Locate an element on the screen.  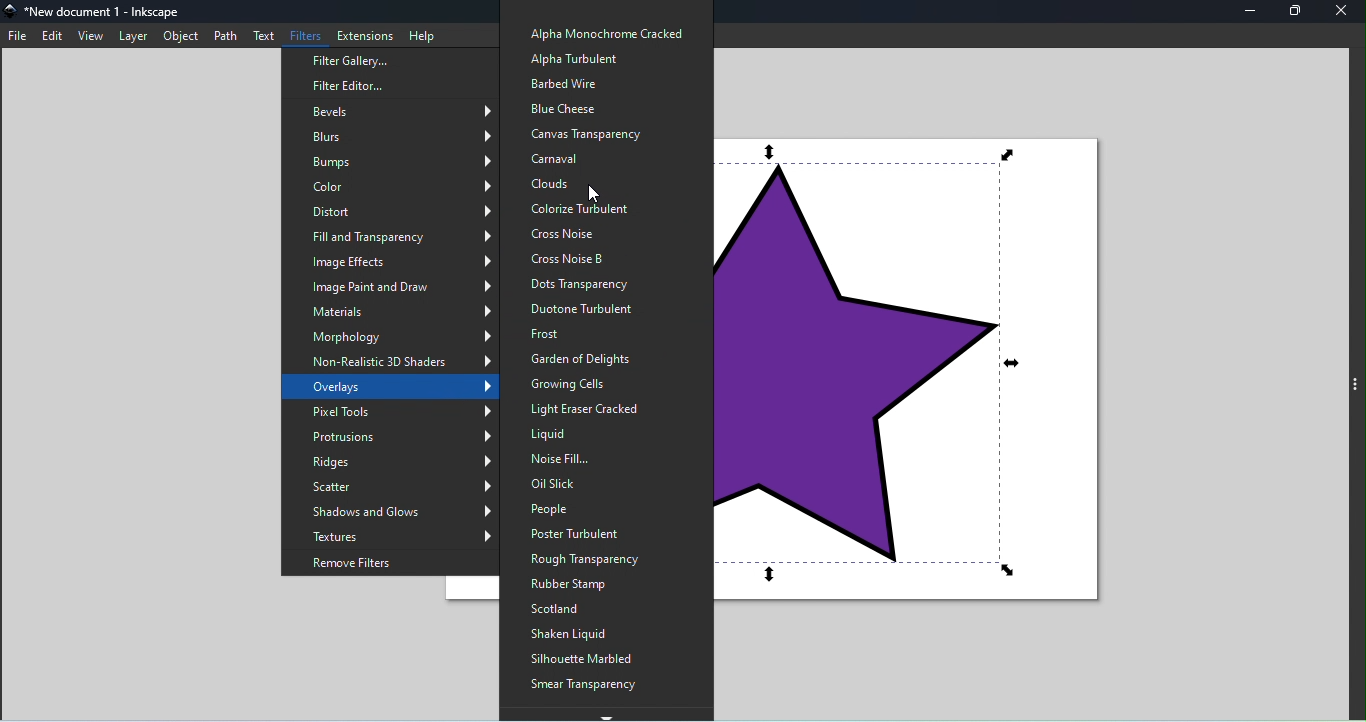
Image paint and draw is located at coordinates (401, 288).